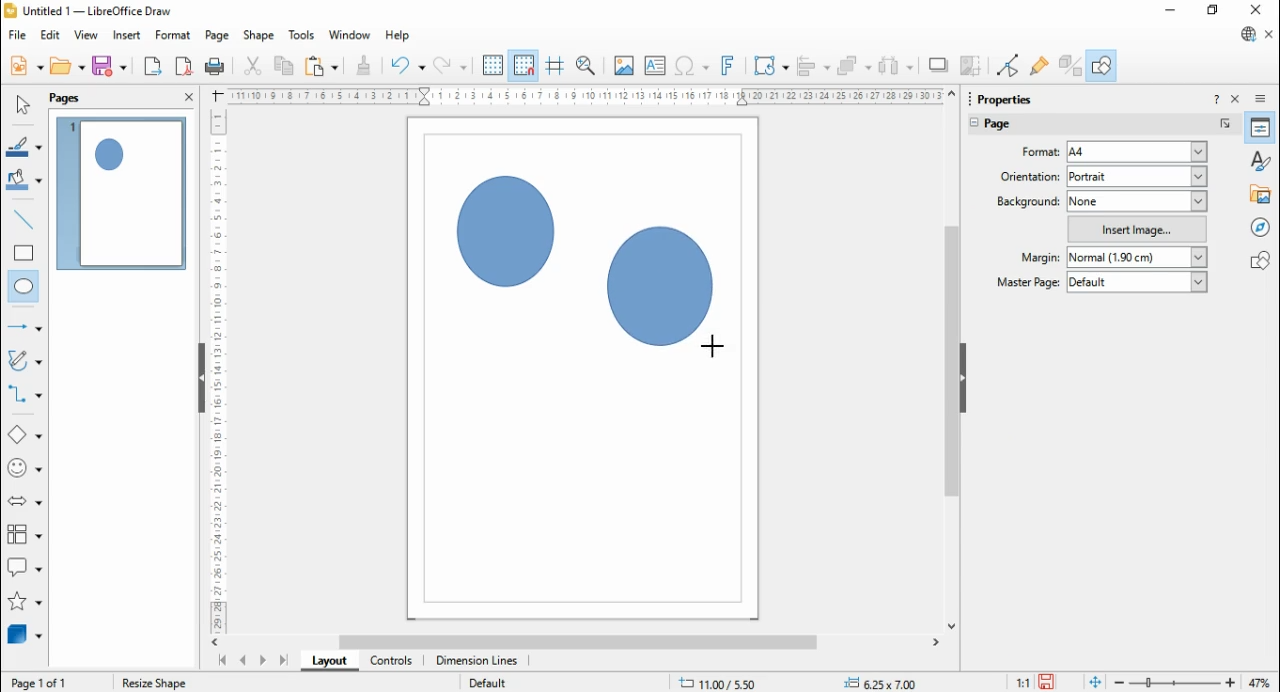 This screenshot has width=1280, height=692. I want to click on insert, so click(126, 36).